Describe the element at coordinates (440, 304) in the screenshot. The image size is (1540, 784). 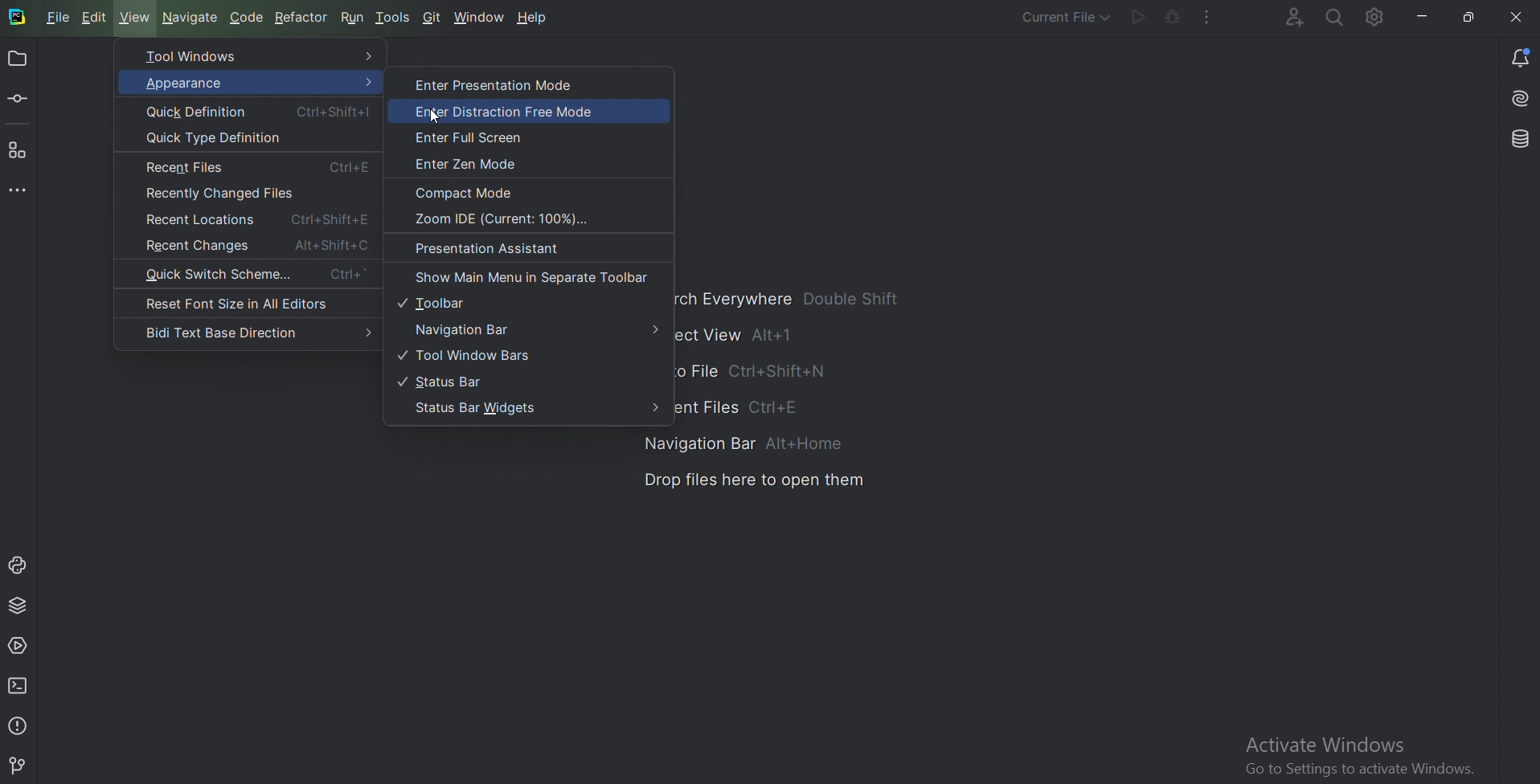
I see `Toolbar` at that location.